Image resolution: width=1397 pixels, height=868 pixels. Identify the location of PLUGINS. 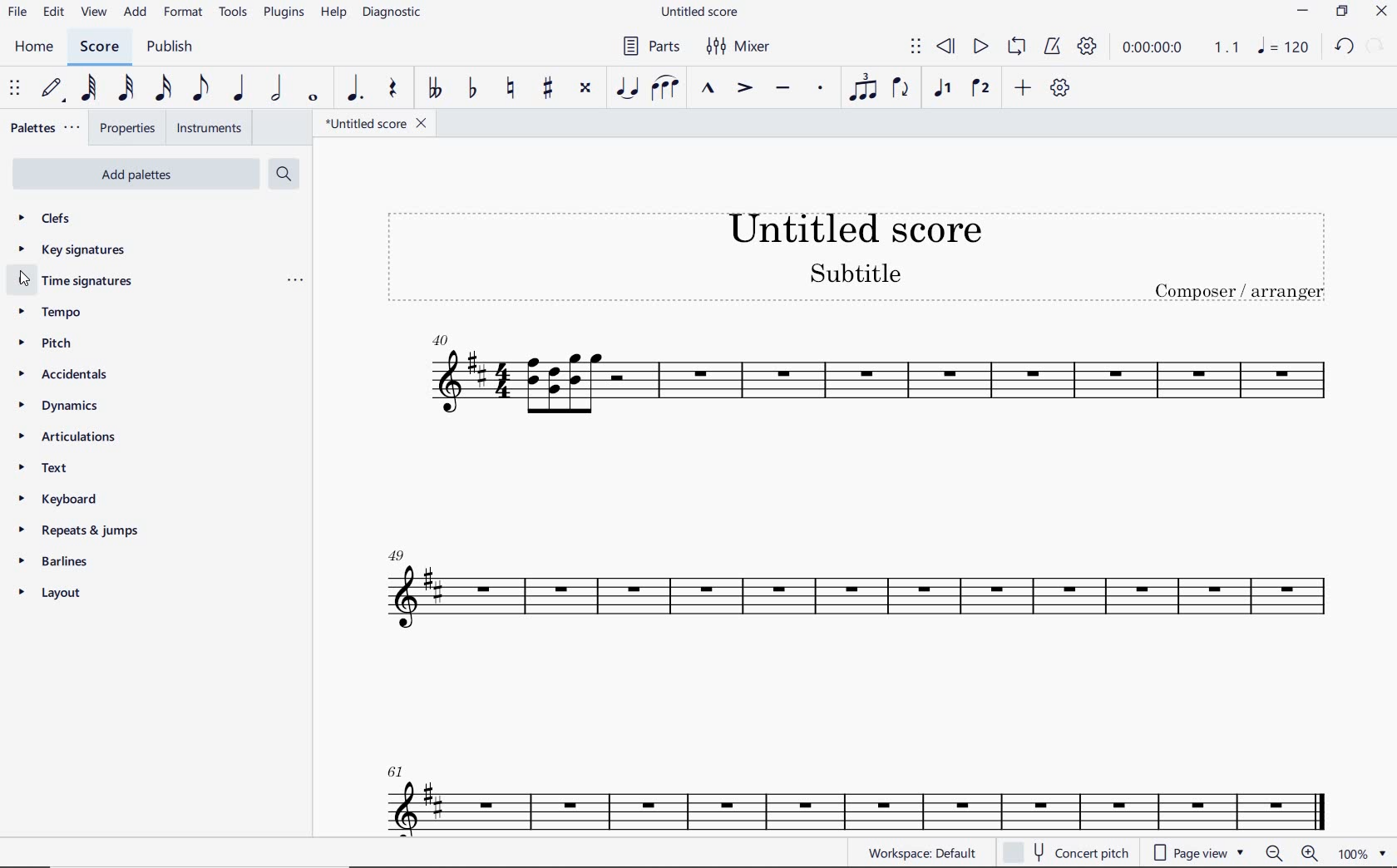
(281, 14).